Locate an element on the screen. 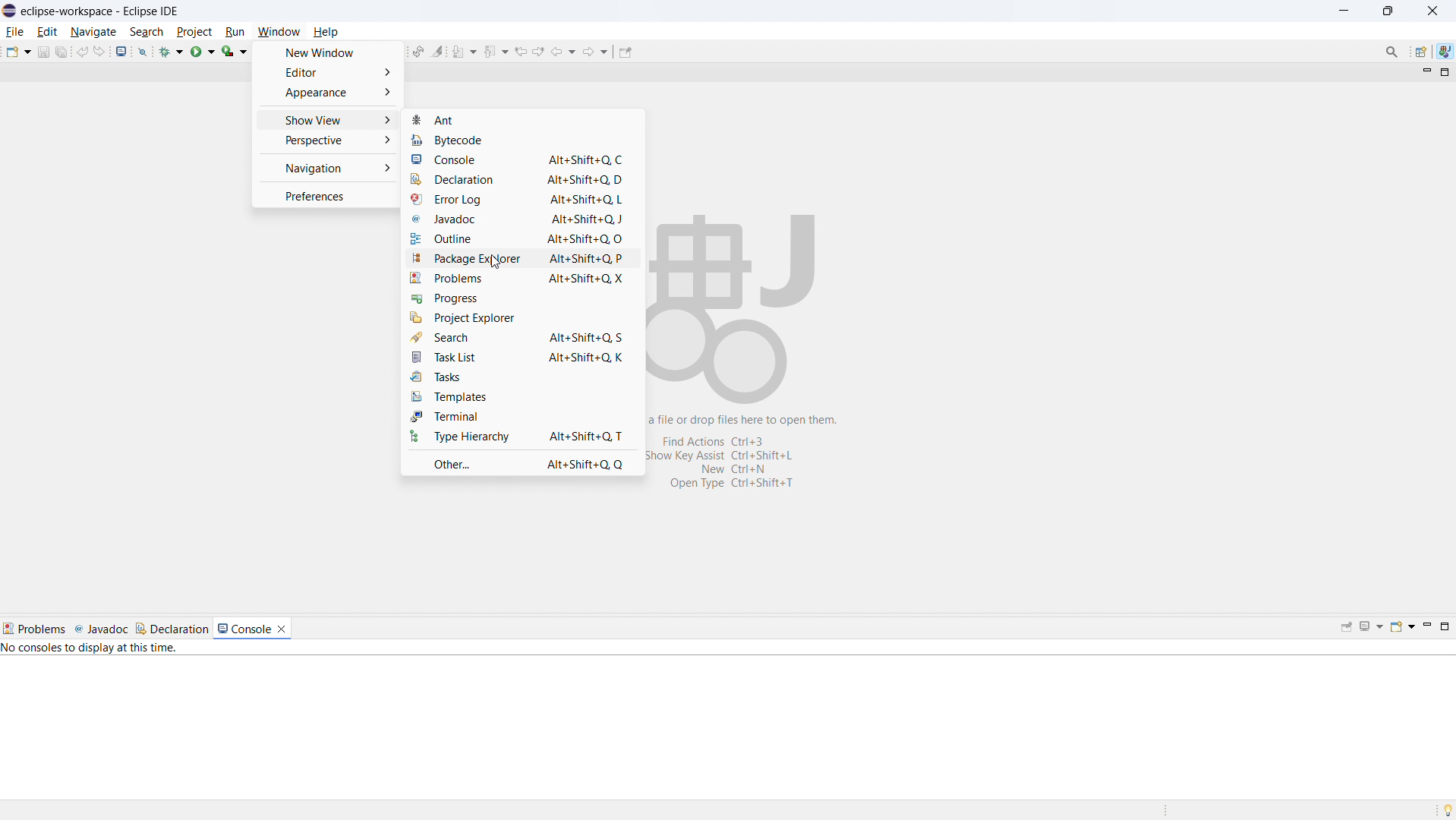 The image size is (1456, 820). Search is located at coordinates (1391, 52).